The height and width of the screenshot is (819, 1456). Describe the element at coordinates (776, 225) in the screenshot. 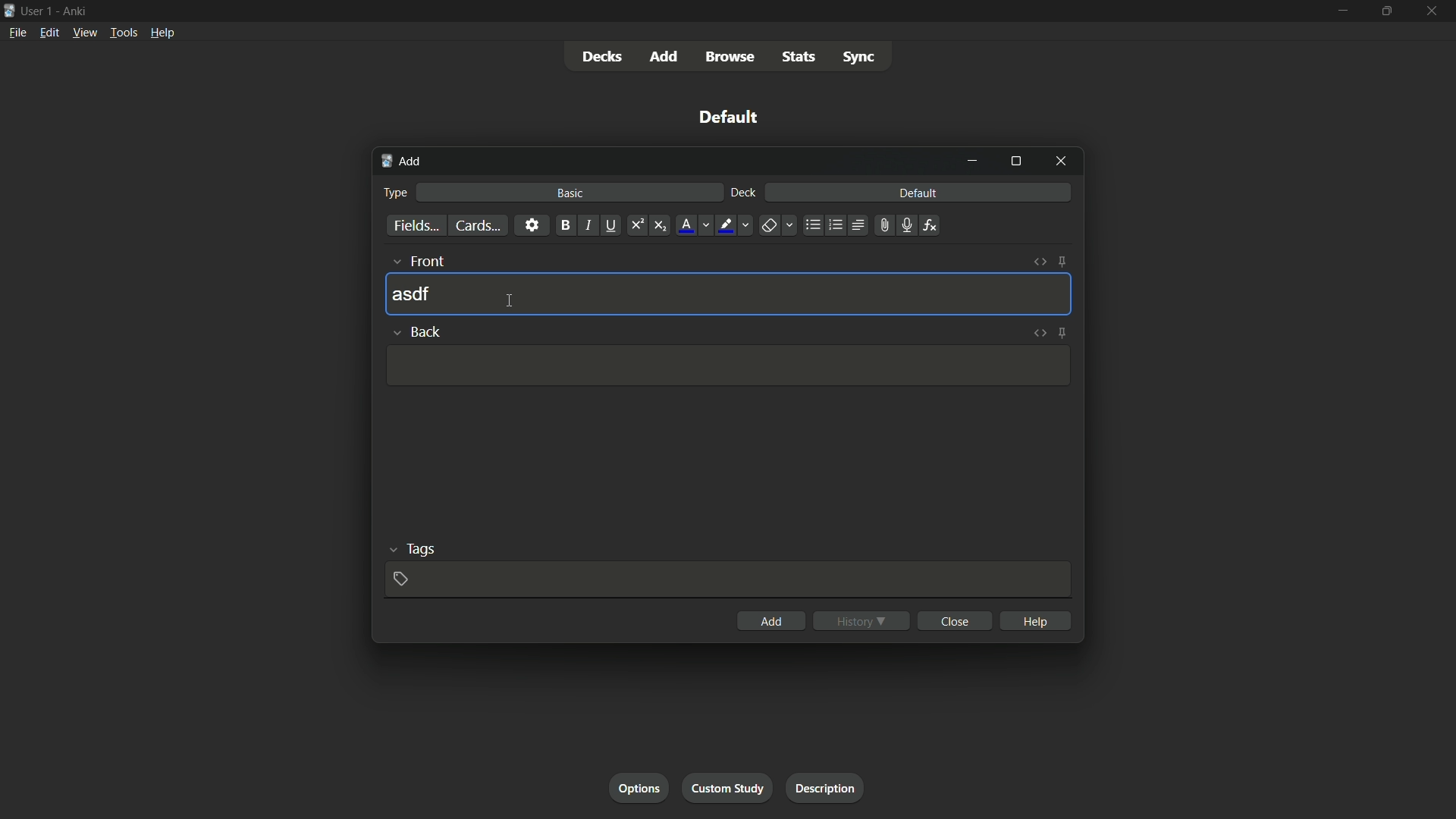

I see `remove formatting` at that location.